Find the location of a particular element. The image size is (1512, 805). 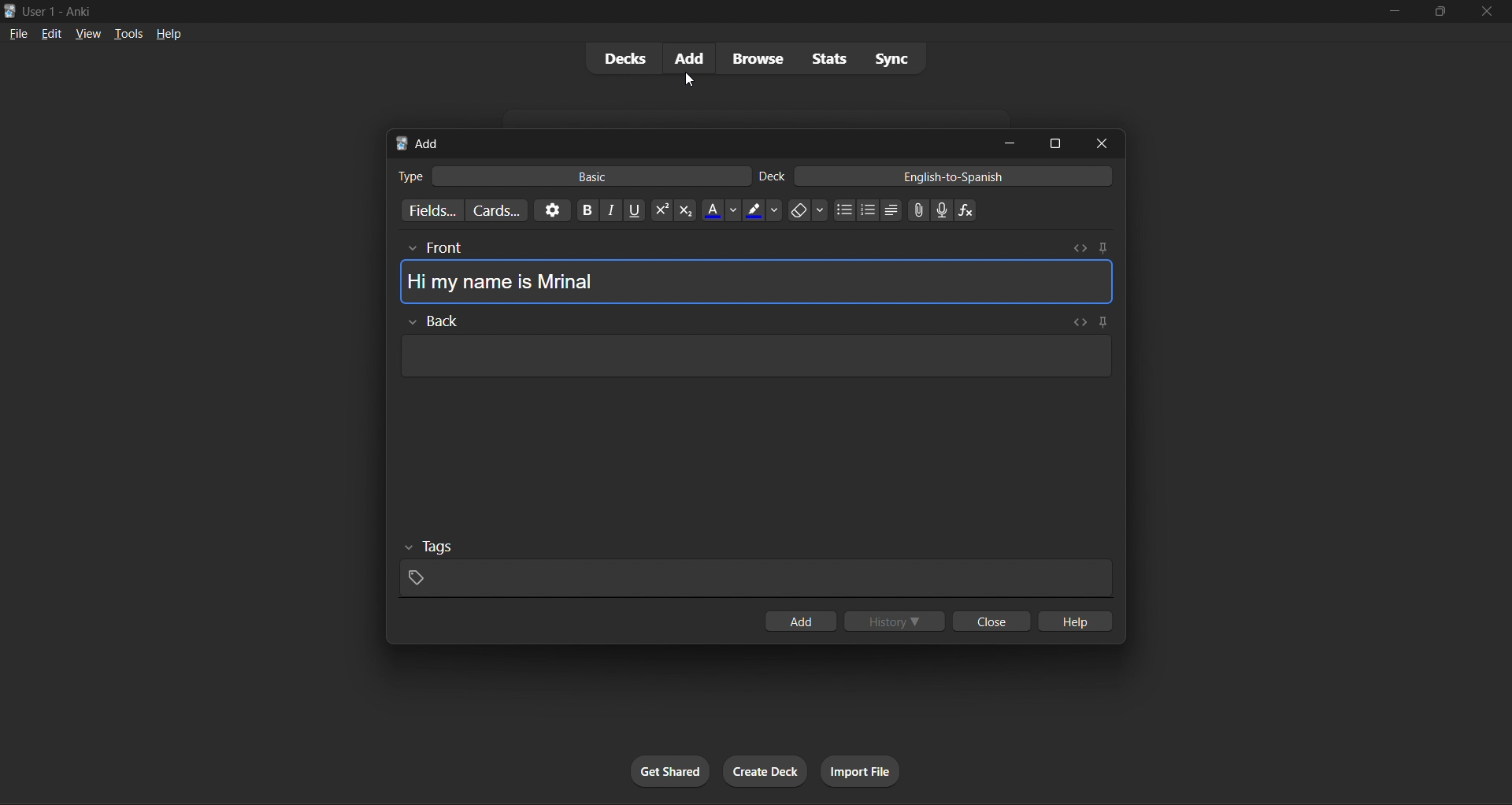

text styling is located at coordinates (785, 210).